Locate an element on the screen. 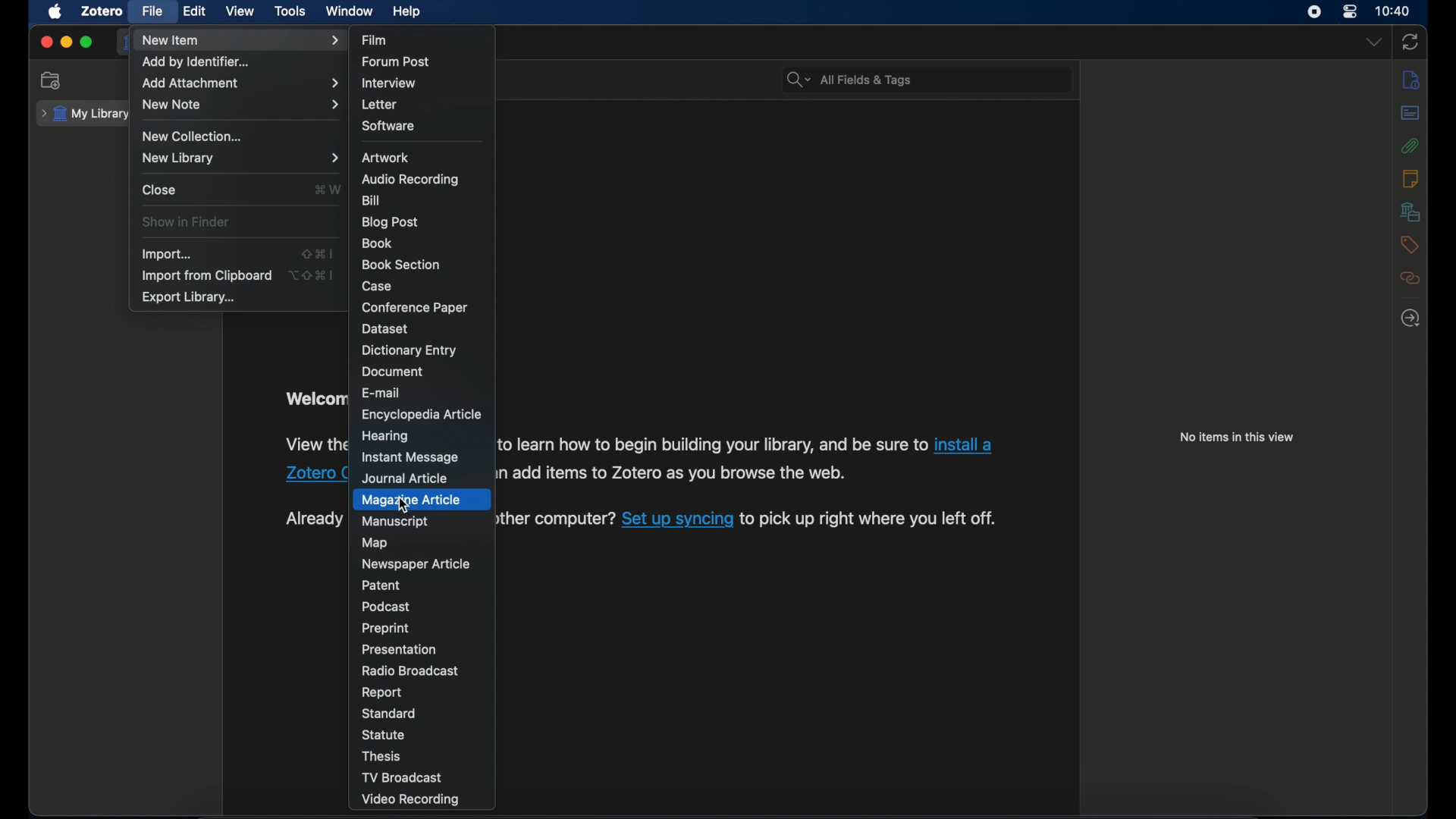  window is located at coordinates (350, 11).